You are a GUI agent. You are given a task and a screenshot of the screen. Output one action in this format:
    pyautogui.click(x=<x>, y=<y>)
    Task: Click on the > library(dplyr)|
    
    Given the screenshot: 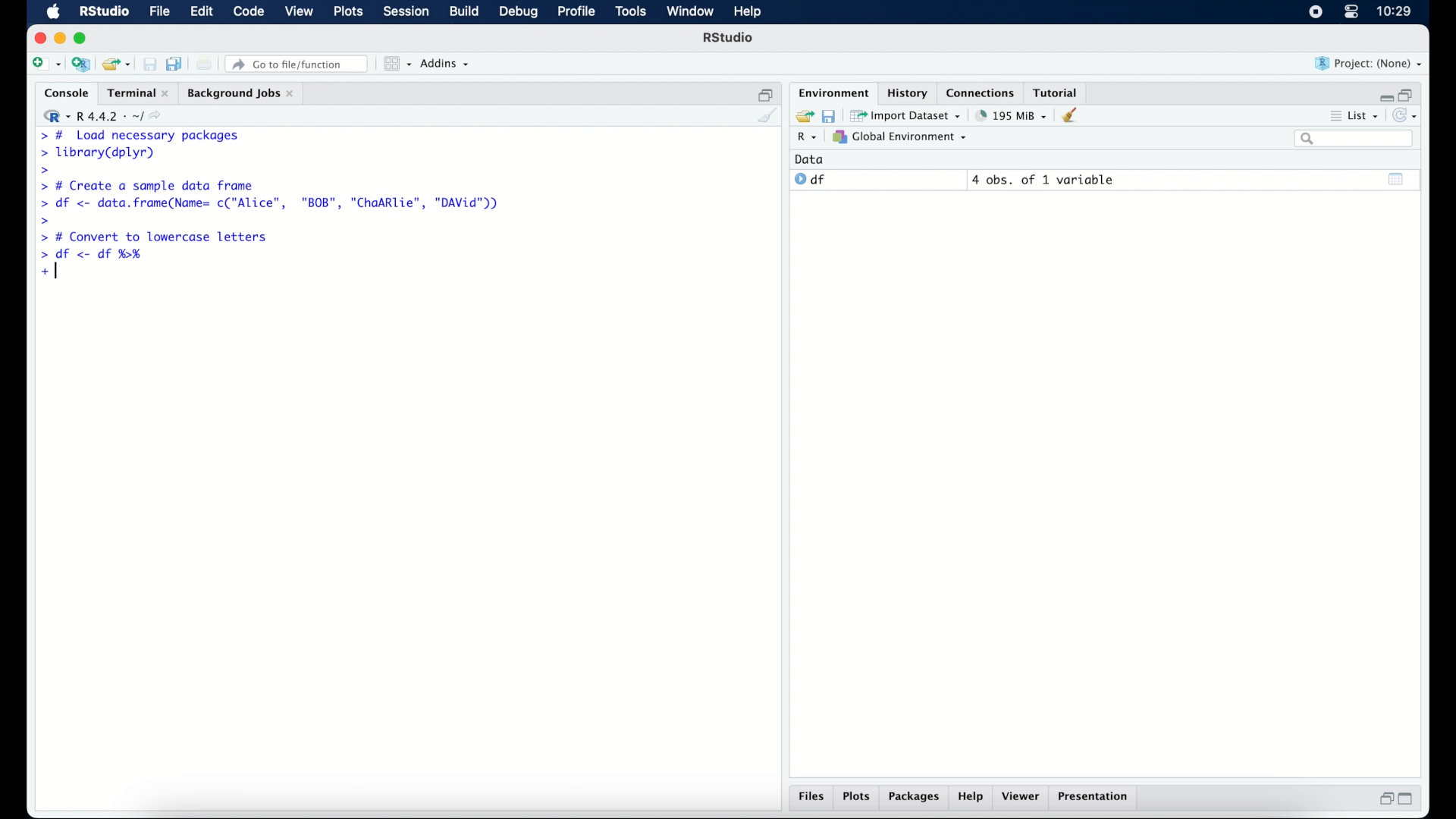 What is the action you would take?
    pyautogui.click(x=101, y=153)
    